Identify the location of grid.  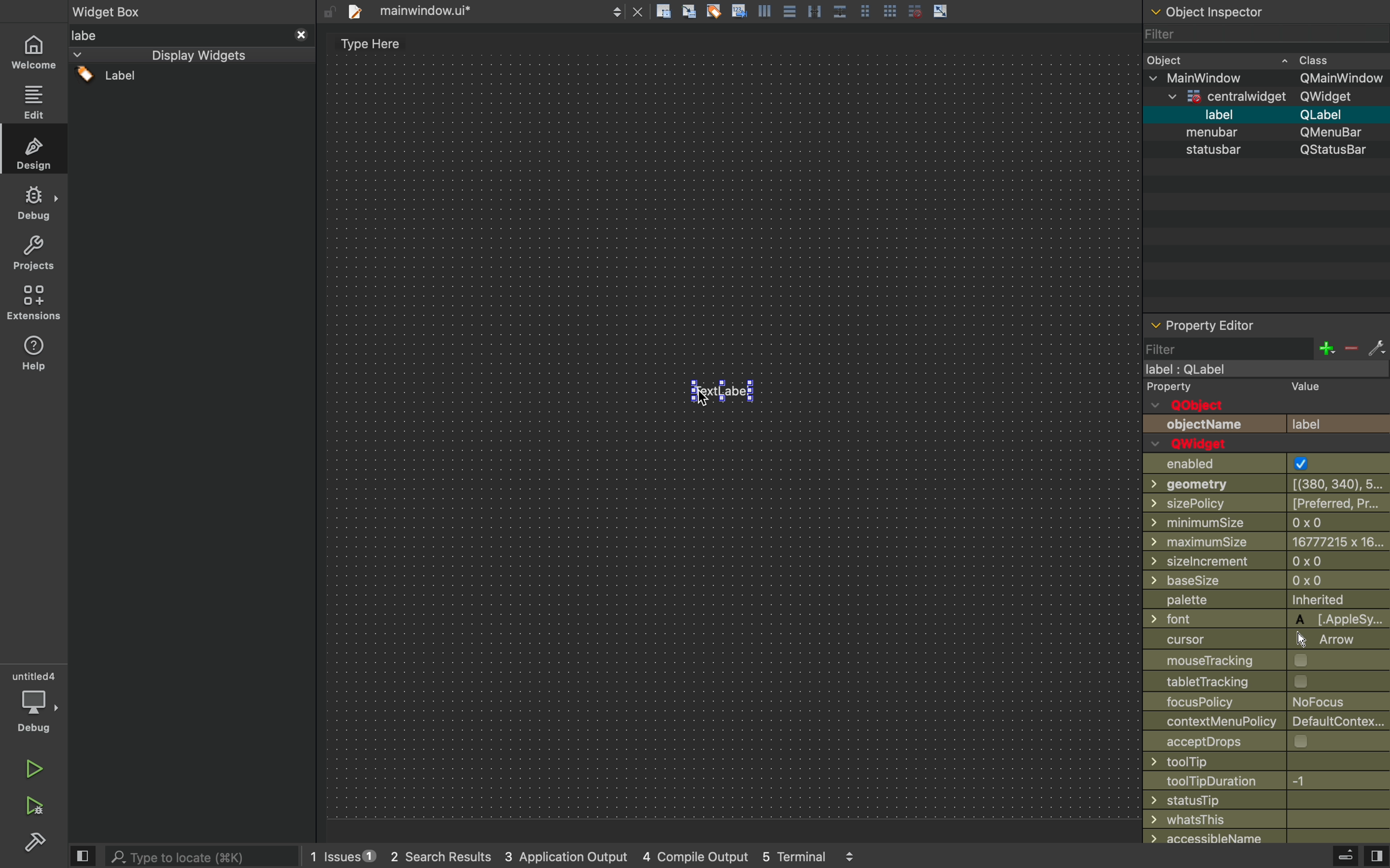
(891, 9).